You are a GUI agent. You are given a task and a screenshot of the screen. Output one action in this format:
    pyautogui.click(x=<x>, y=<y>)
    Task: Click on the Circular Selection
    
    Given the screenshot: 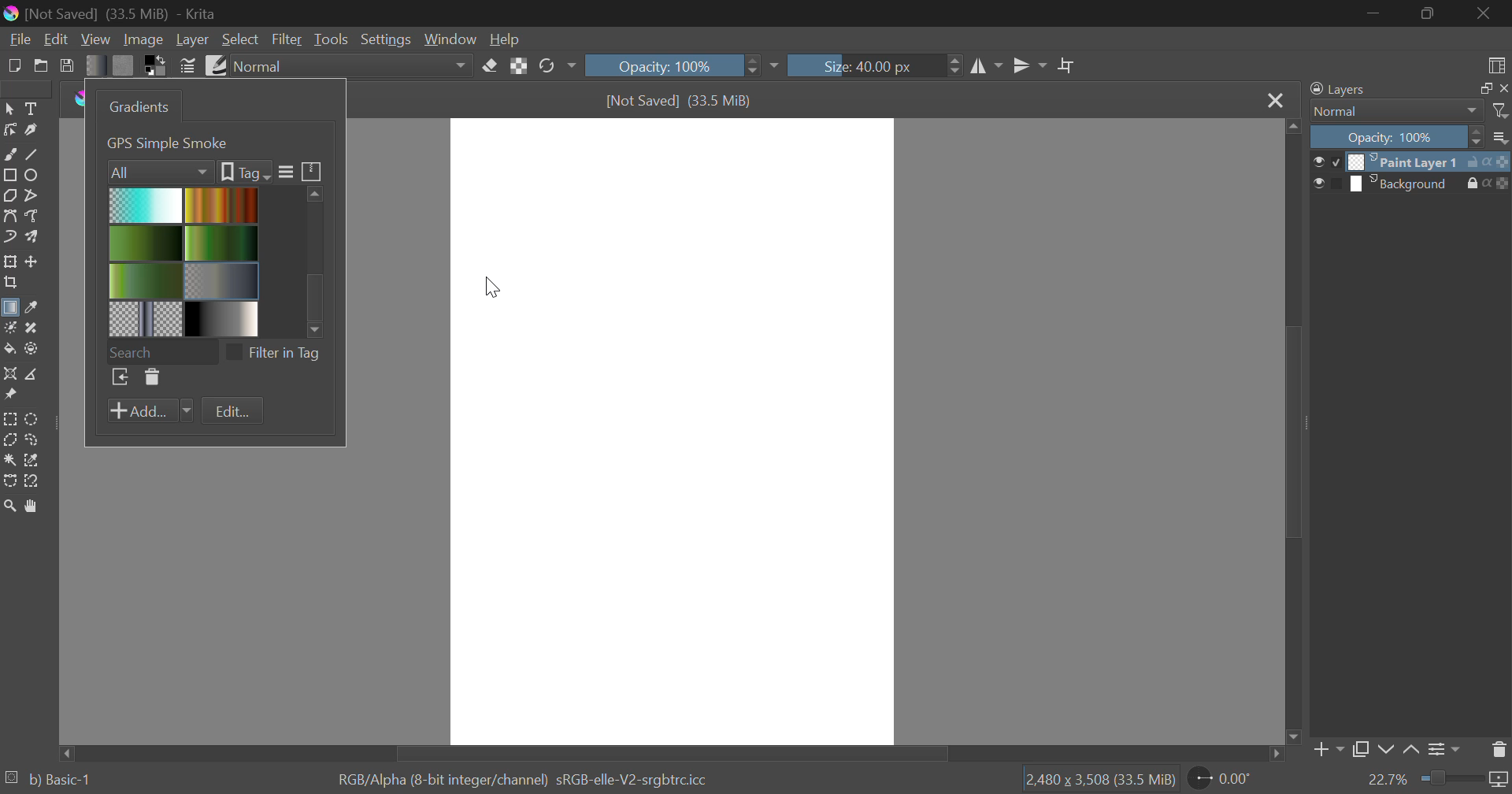 What is the action you would take?
    pyautogui.click(x=34, y=419)
    